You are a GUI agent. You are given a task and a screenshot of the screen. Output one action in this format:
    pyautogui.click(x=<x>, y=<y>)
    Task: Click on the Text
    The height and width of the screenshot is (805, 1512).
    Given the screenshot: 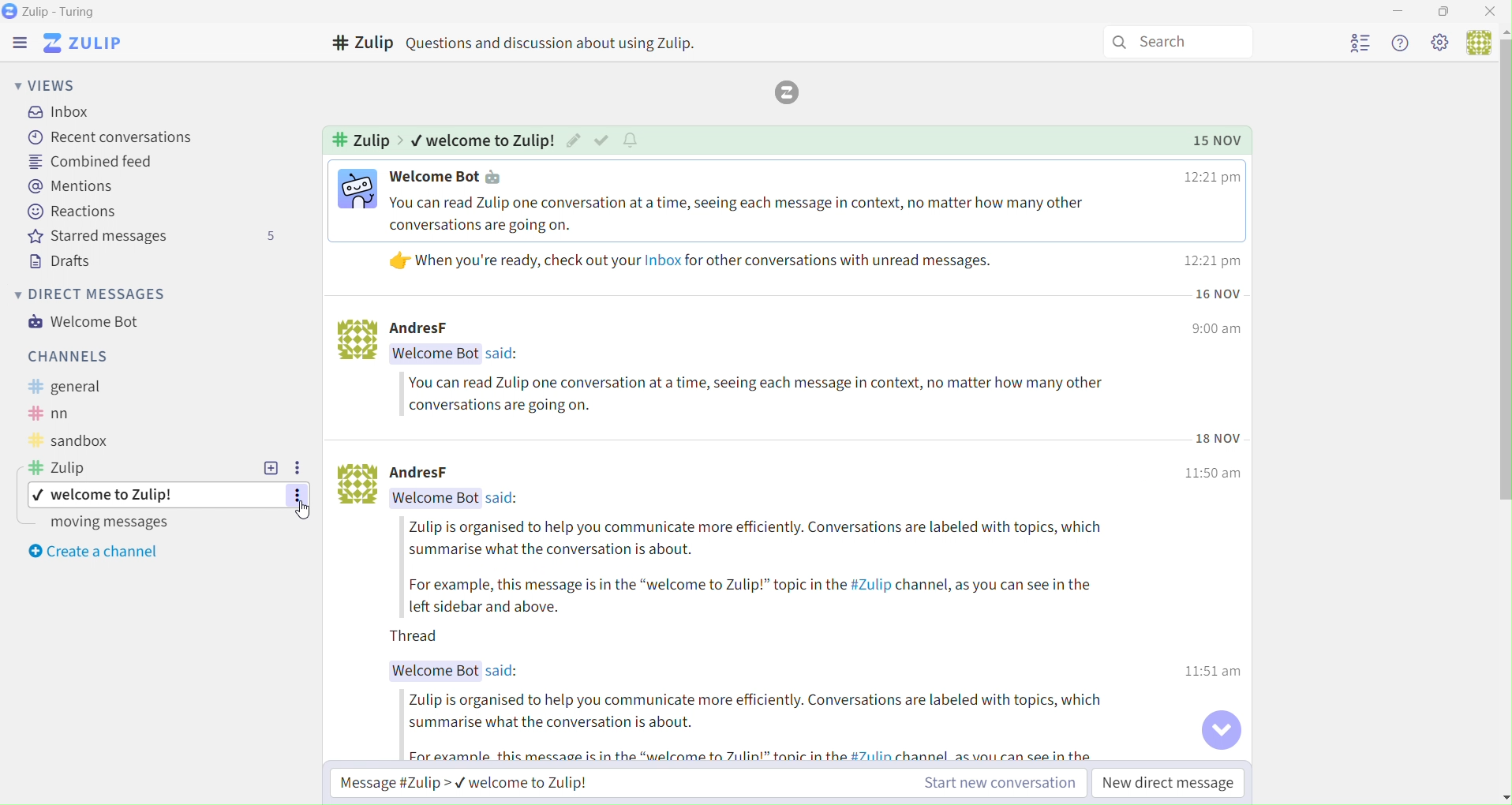 What is the action you would take?
    pyautogui.click(x=436, y=354)
    